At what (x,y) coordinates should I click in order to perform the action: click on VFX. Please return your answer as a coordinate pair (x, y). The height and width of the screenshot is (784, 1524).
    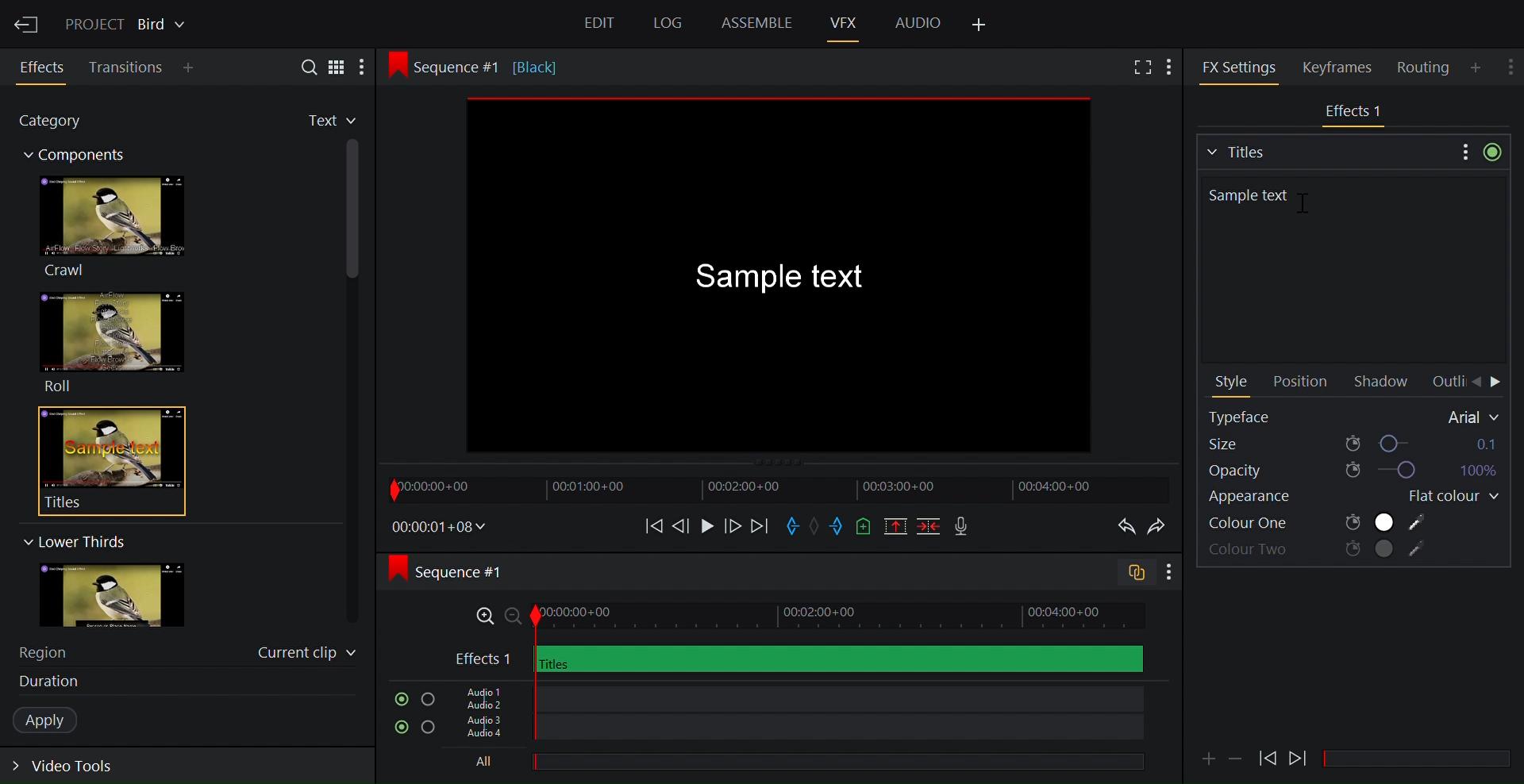
    Looking at the image, I should click on (845, 22).